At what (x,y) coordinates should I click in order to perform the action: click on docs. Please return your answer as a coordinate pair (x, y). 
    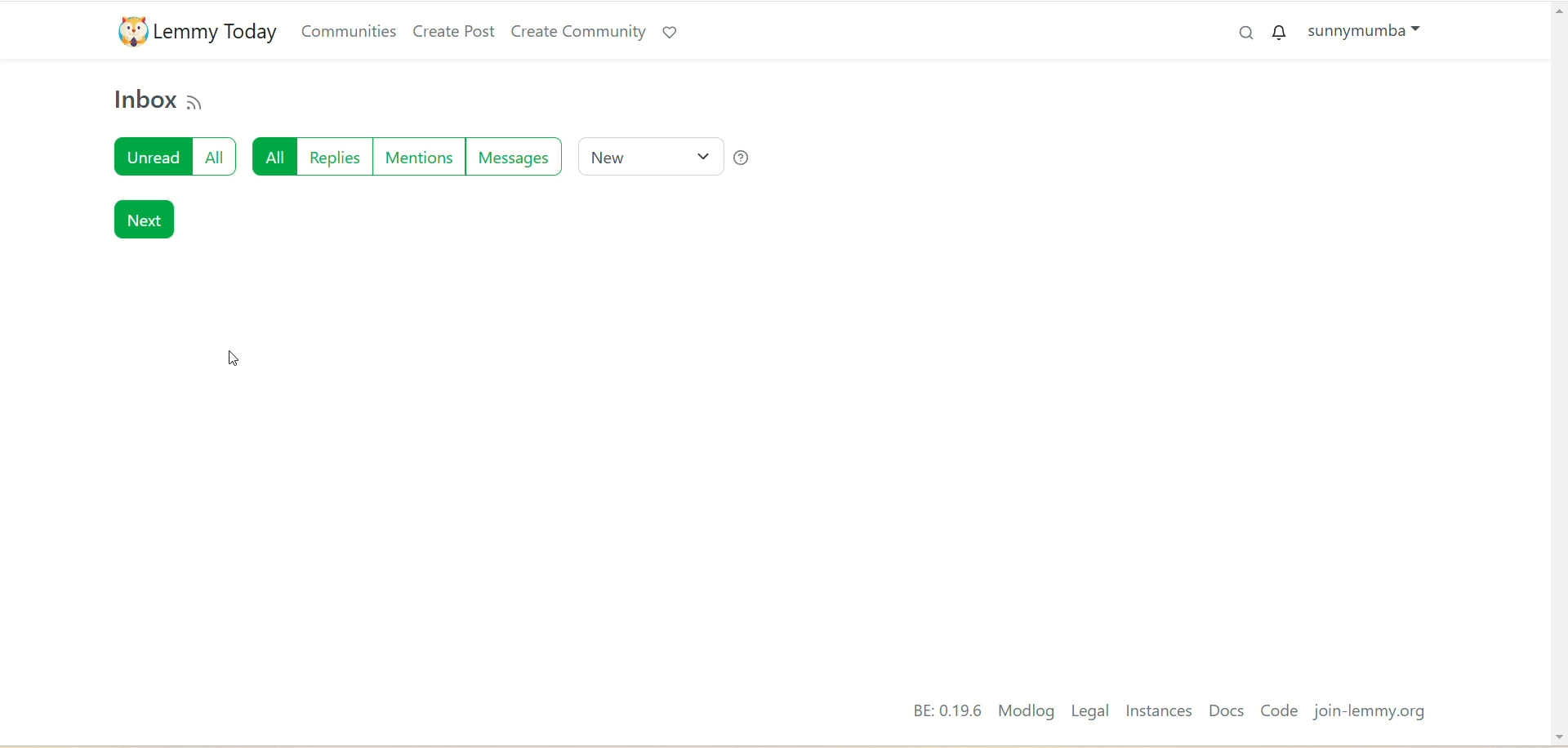
    Looking at the image, I should click on (1224, 712).